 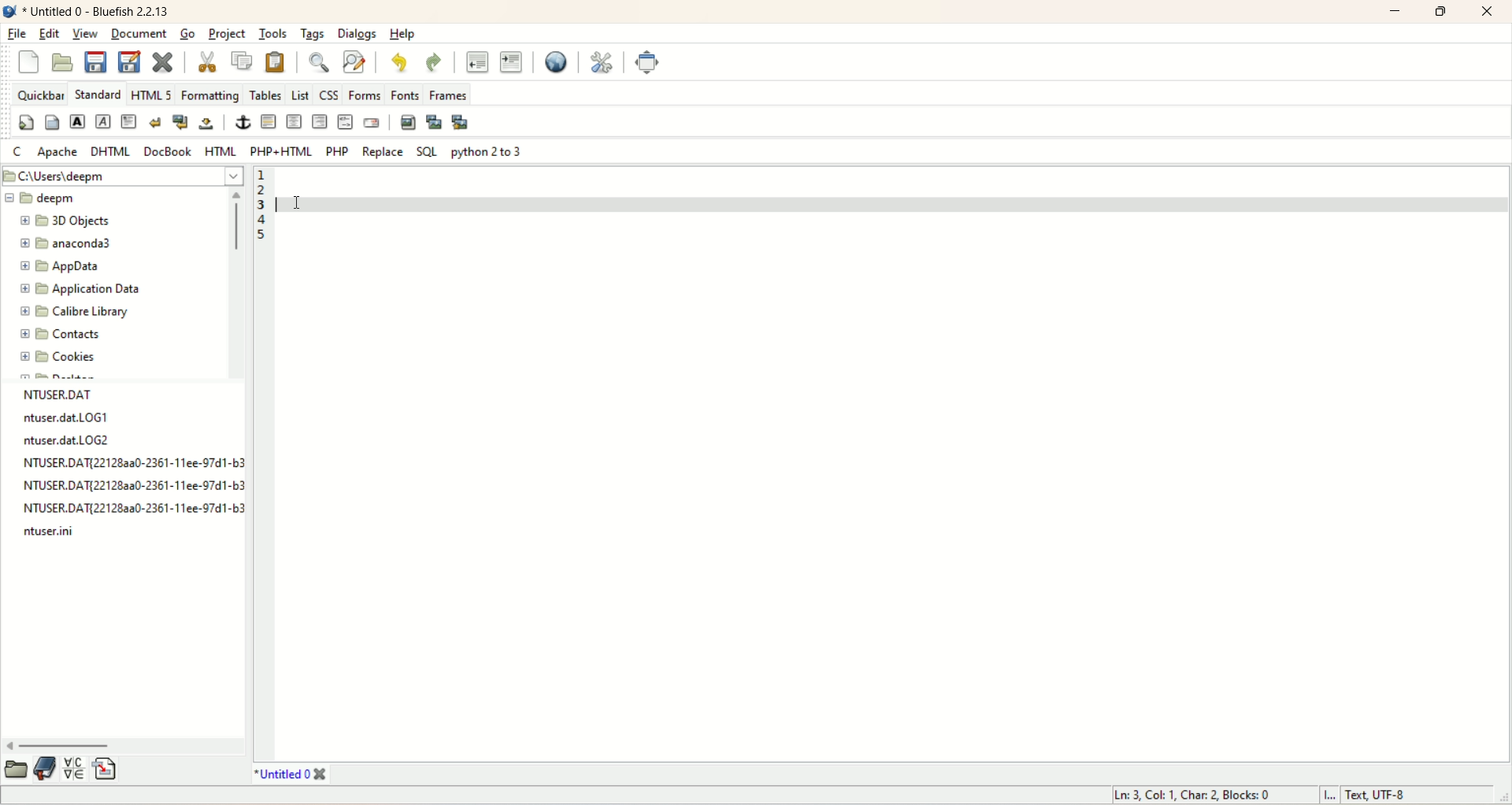 I want to click on insert image, so click(x=408, y=124).